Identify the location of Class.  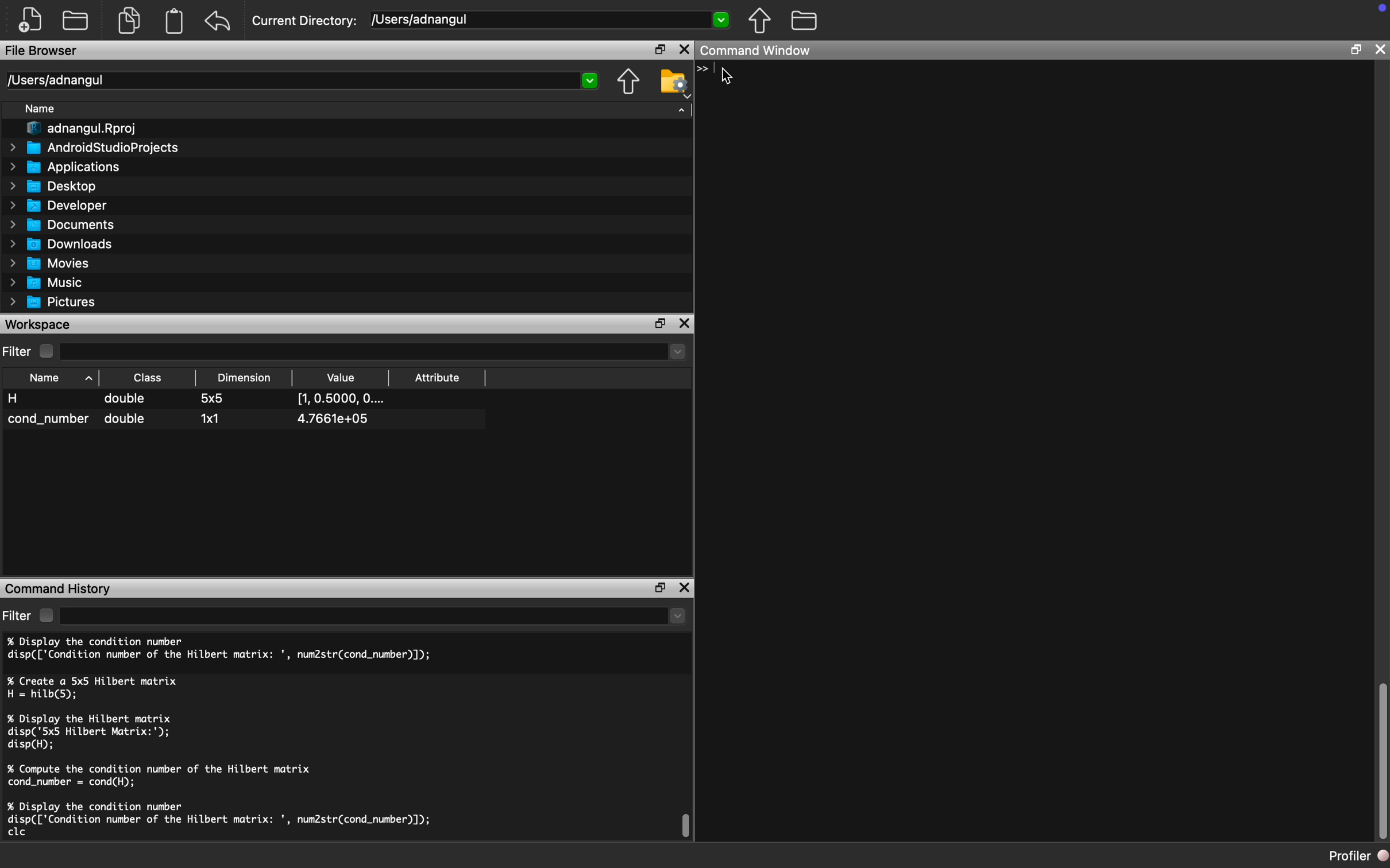
(146, 378).